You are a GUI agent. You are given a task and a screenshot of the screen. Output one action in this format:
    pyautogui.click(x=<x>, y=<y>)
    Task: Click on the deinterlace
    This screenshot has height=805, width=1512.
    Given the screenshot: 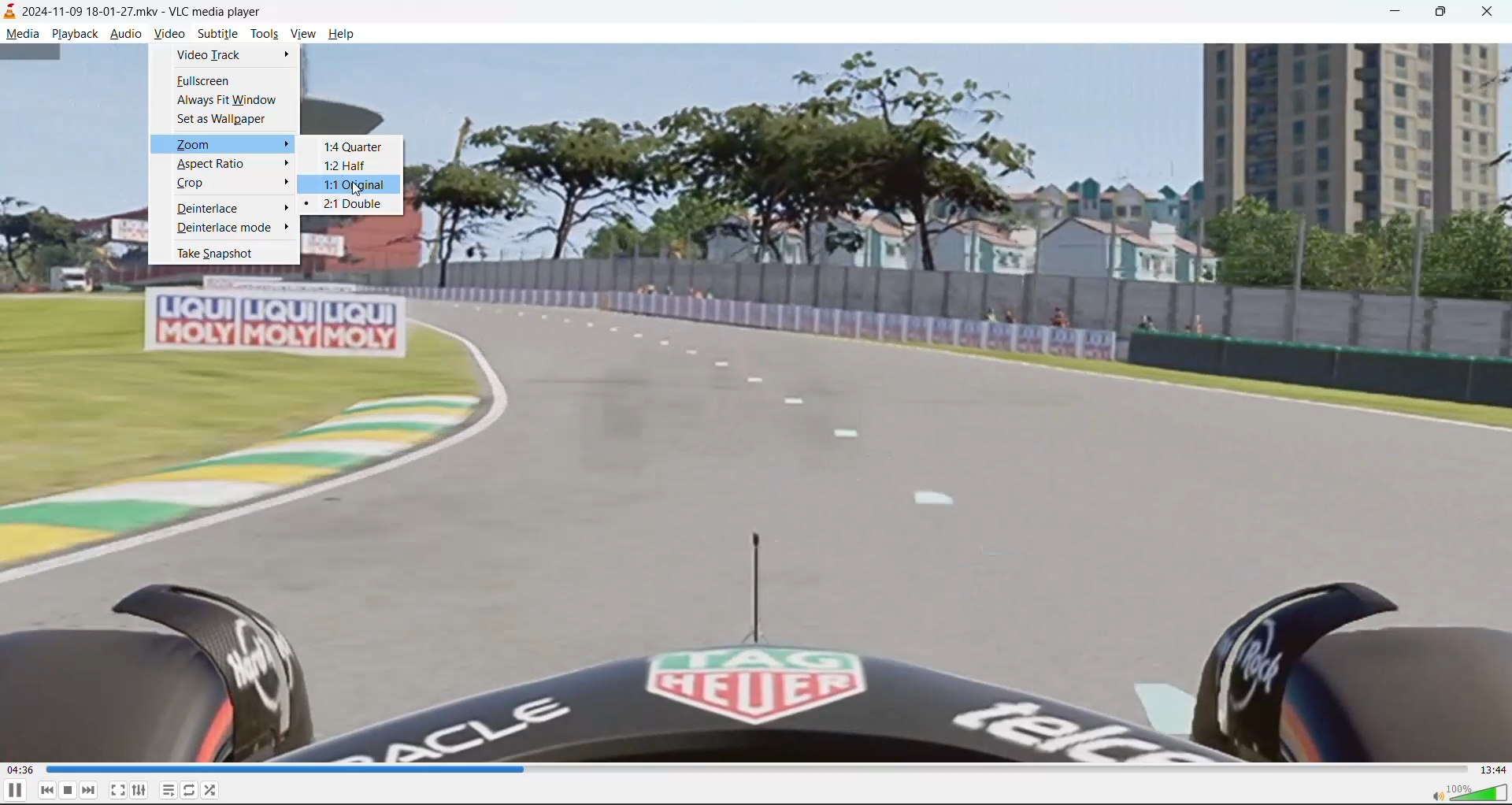 What is the action you would take?
    pyautogui.click(x=211, y=207)
    